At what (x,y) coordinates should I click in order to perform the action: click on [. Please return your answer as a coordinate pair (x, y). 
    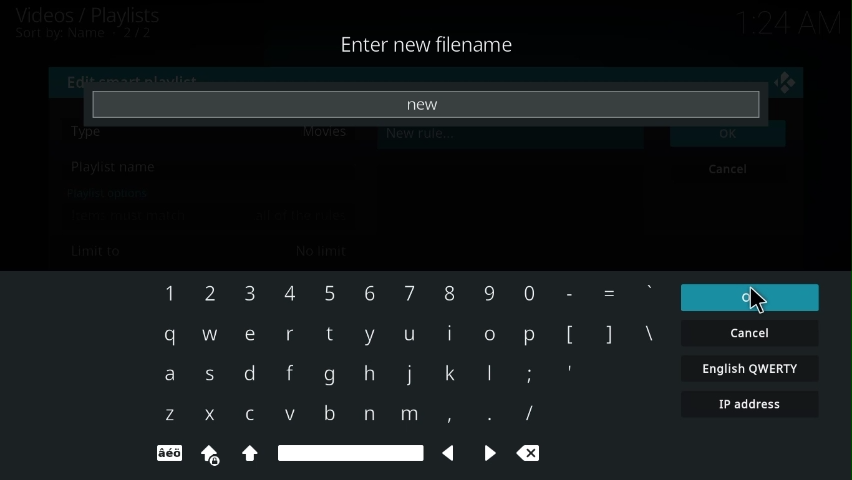
    Looking at the image, I should click on (568, 336).